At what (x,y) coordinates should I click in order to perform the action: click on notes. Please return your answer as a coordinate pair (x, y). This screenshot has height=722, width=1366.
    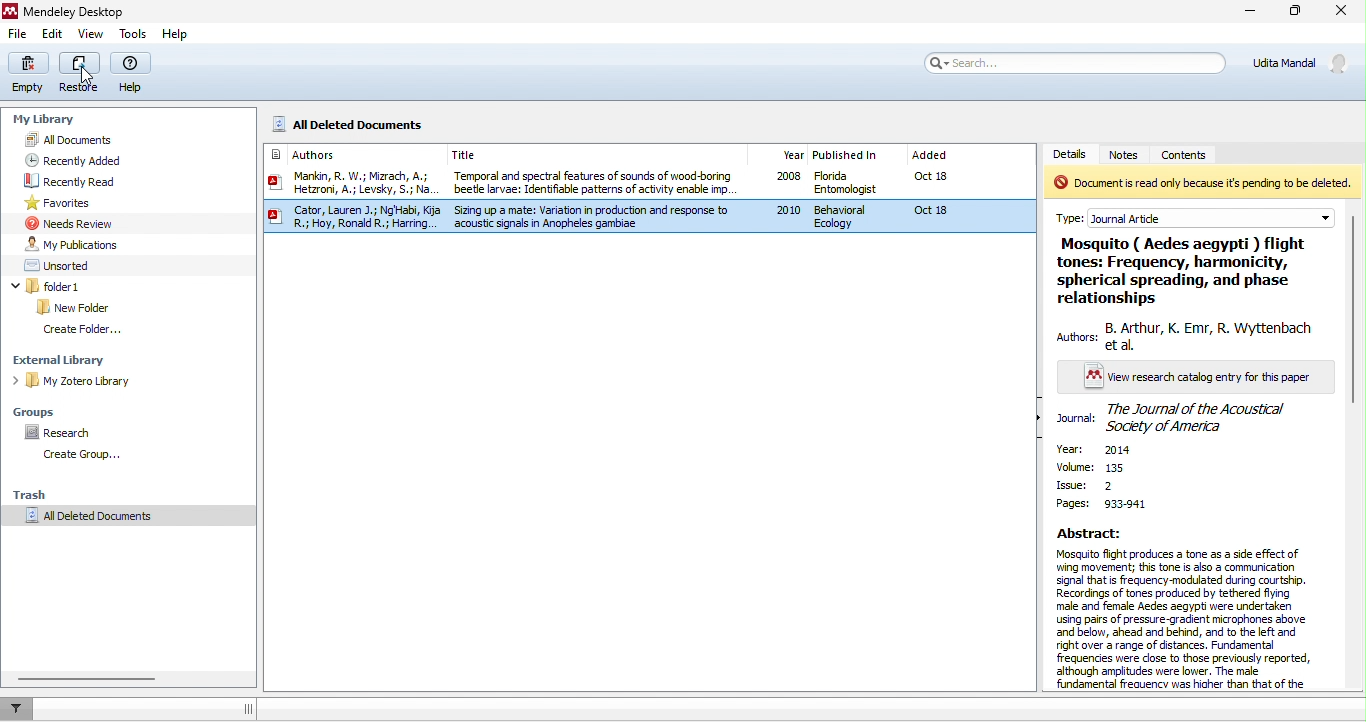
    Looking at the image, I should click on (1130, 155).